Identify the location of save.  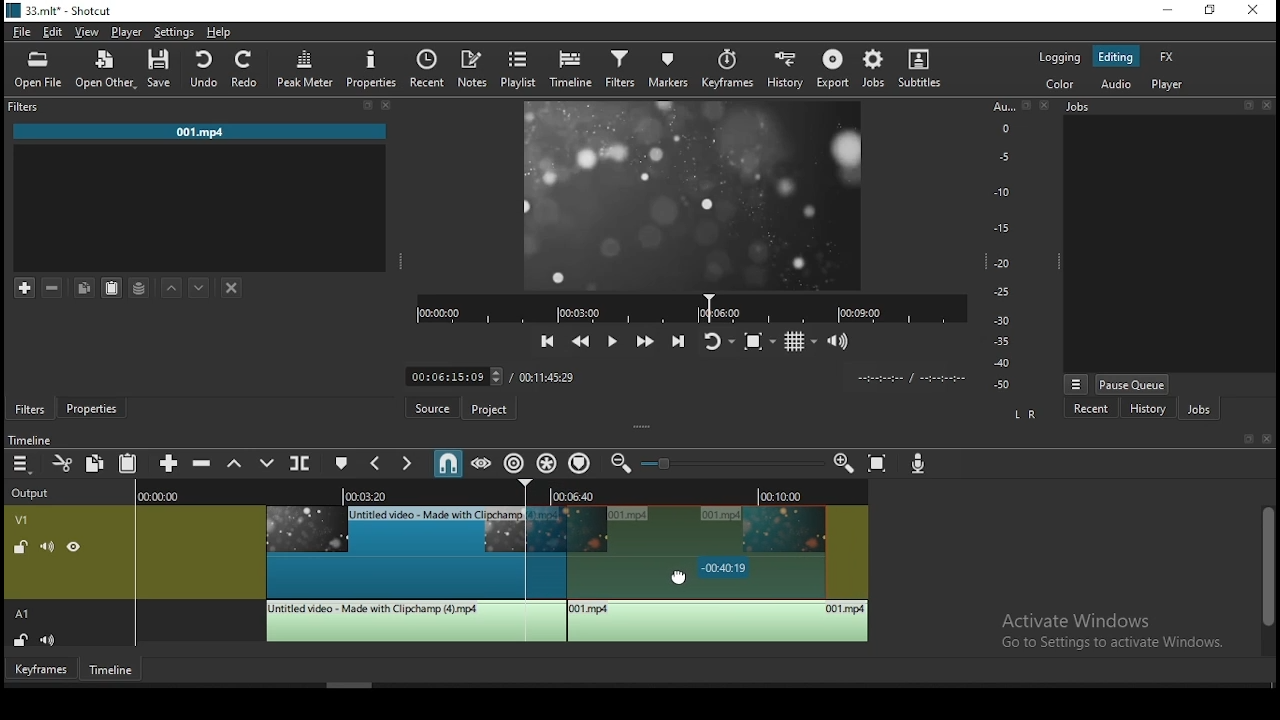
(163, 70).